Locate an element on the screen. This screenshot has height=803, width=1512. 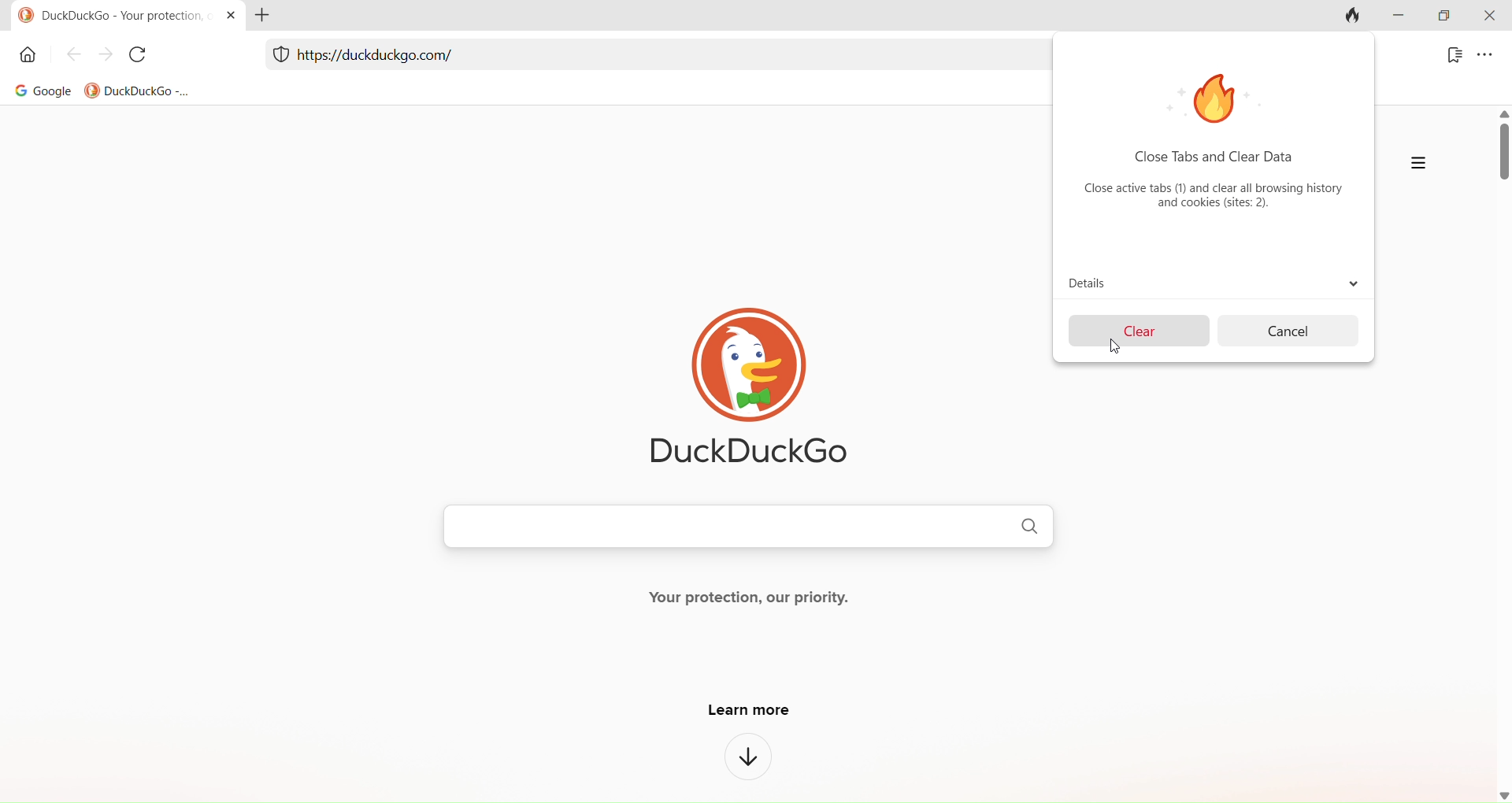
cursor is located at coordinates (1116, 350).